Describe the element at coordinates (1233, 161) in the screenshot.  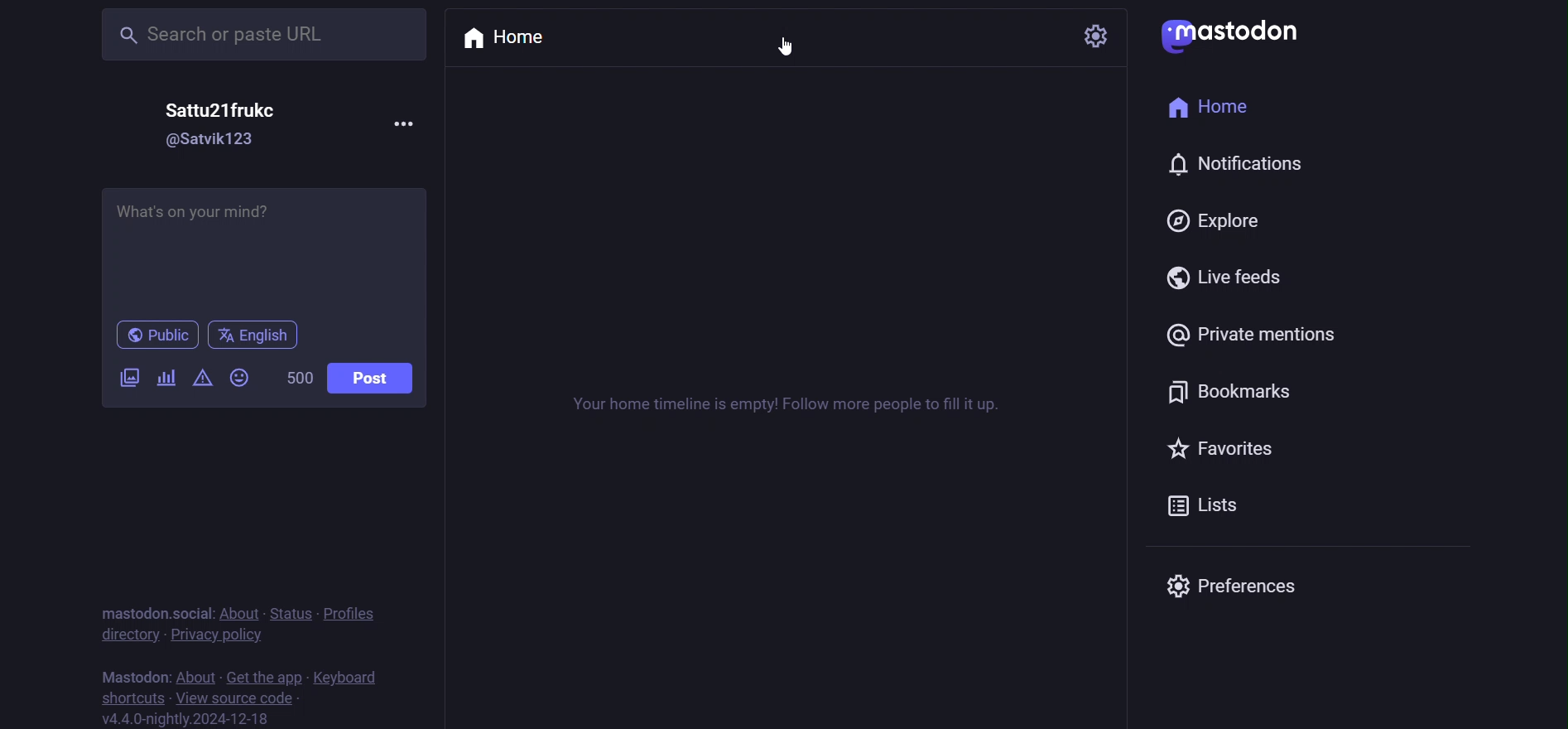
I see `notification` at that location.